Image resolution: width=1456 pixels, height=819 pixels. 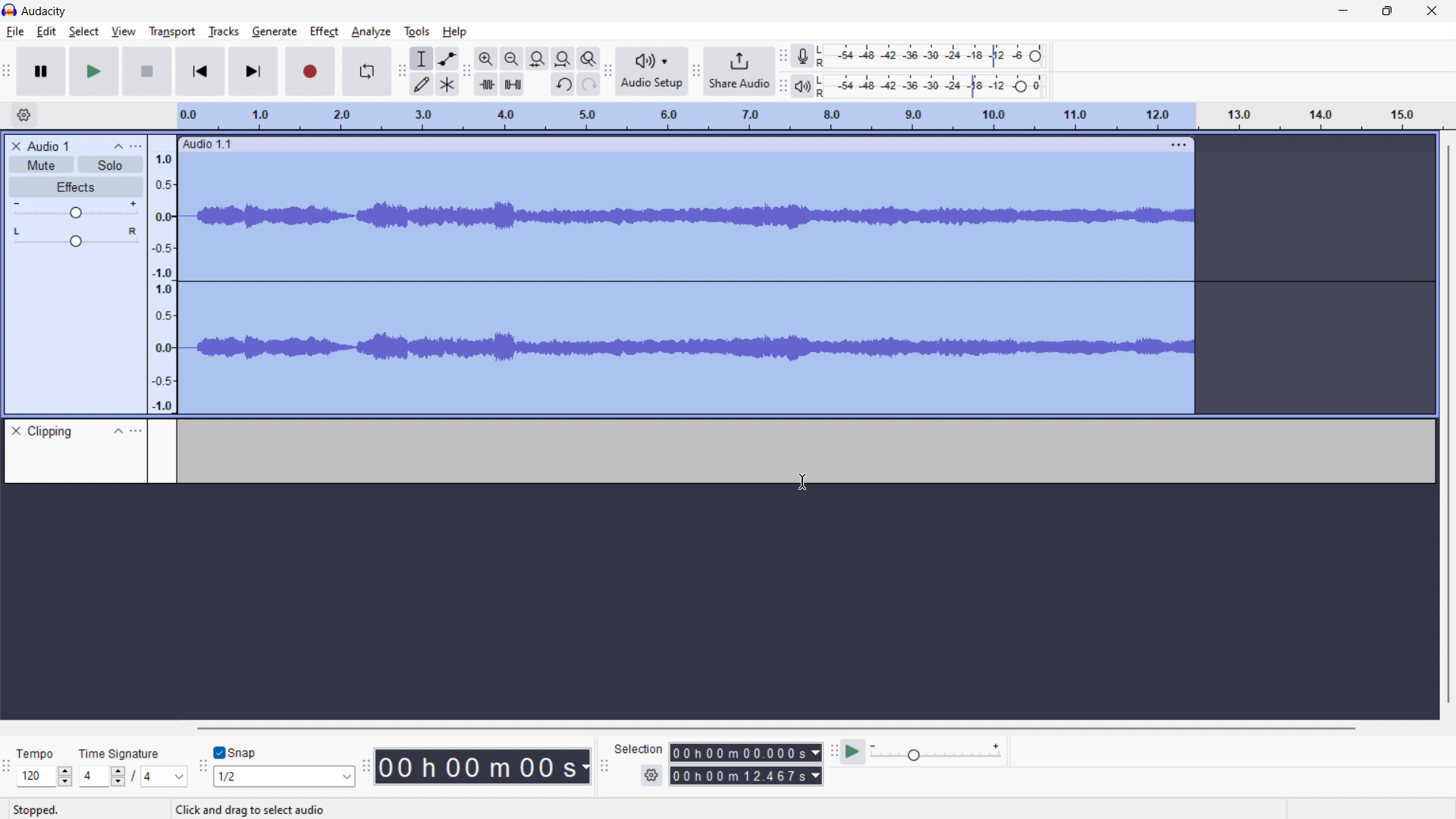 I want to click on analyze, so click(x=371, y=32).